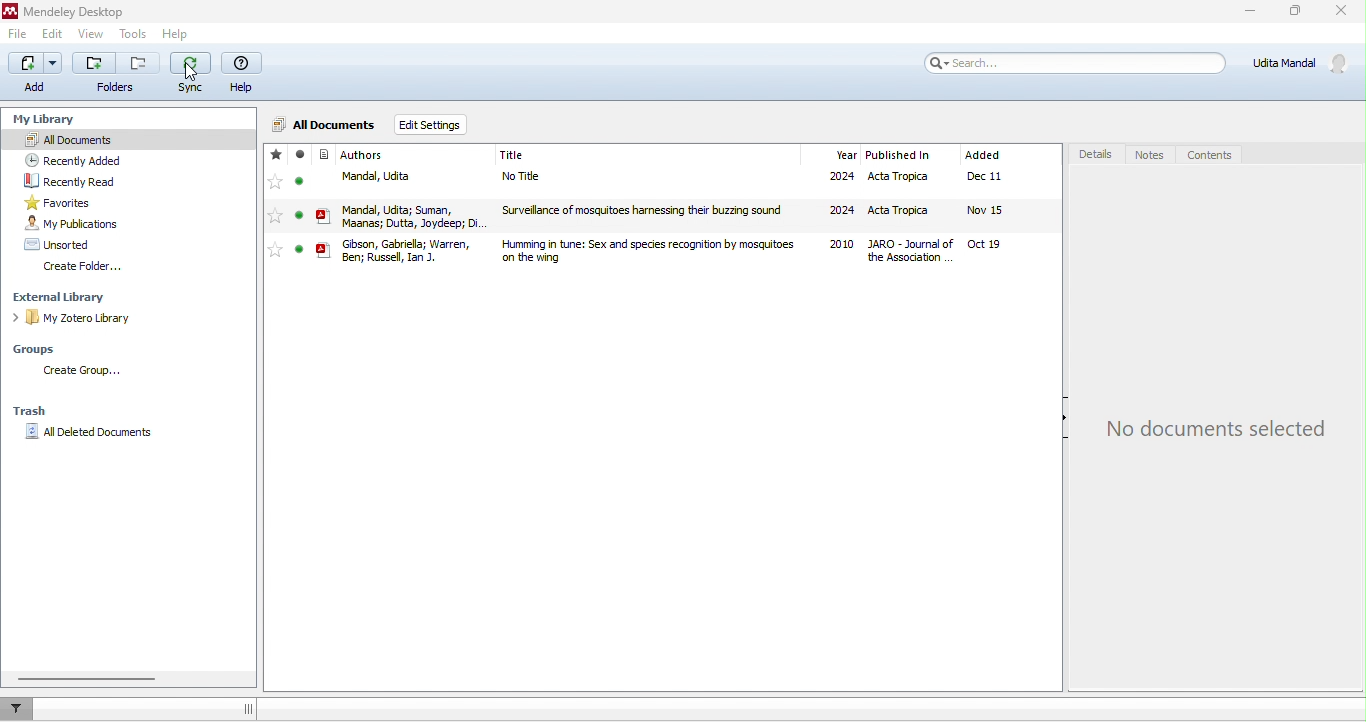 The width and height of the screenshot is (1366, 722). I want to click on close, so click(1346, 13).